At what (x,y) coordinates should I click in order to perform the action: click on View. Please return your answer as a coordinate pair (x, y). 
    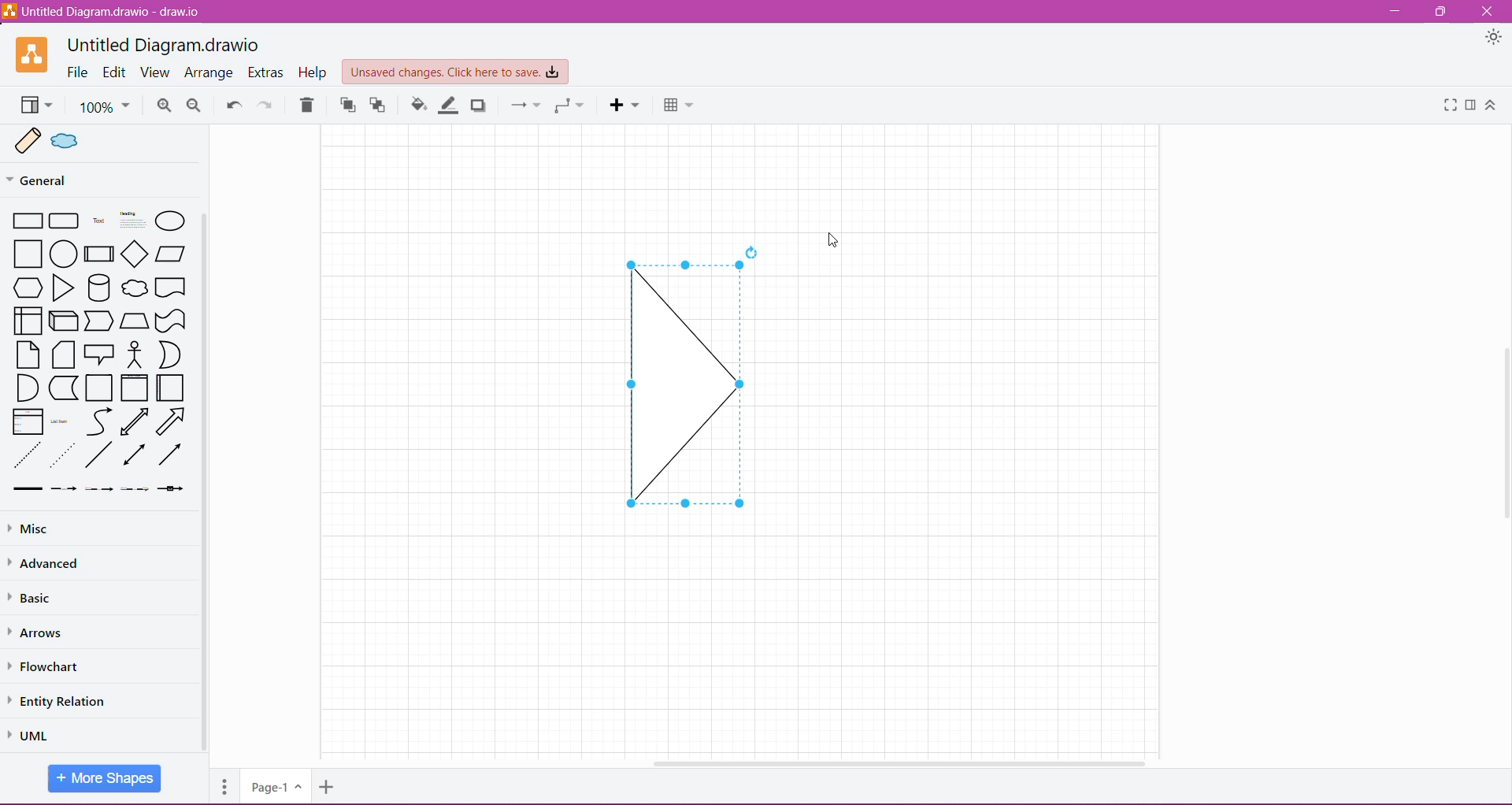
    Looking at the image, I should click on (157, 72).